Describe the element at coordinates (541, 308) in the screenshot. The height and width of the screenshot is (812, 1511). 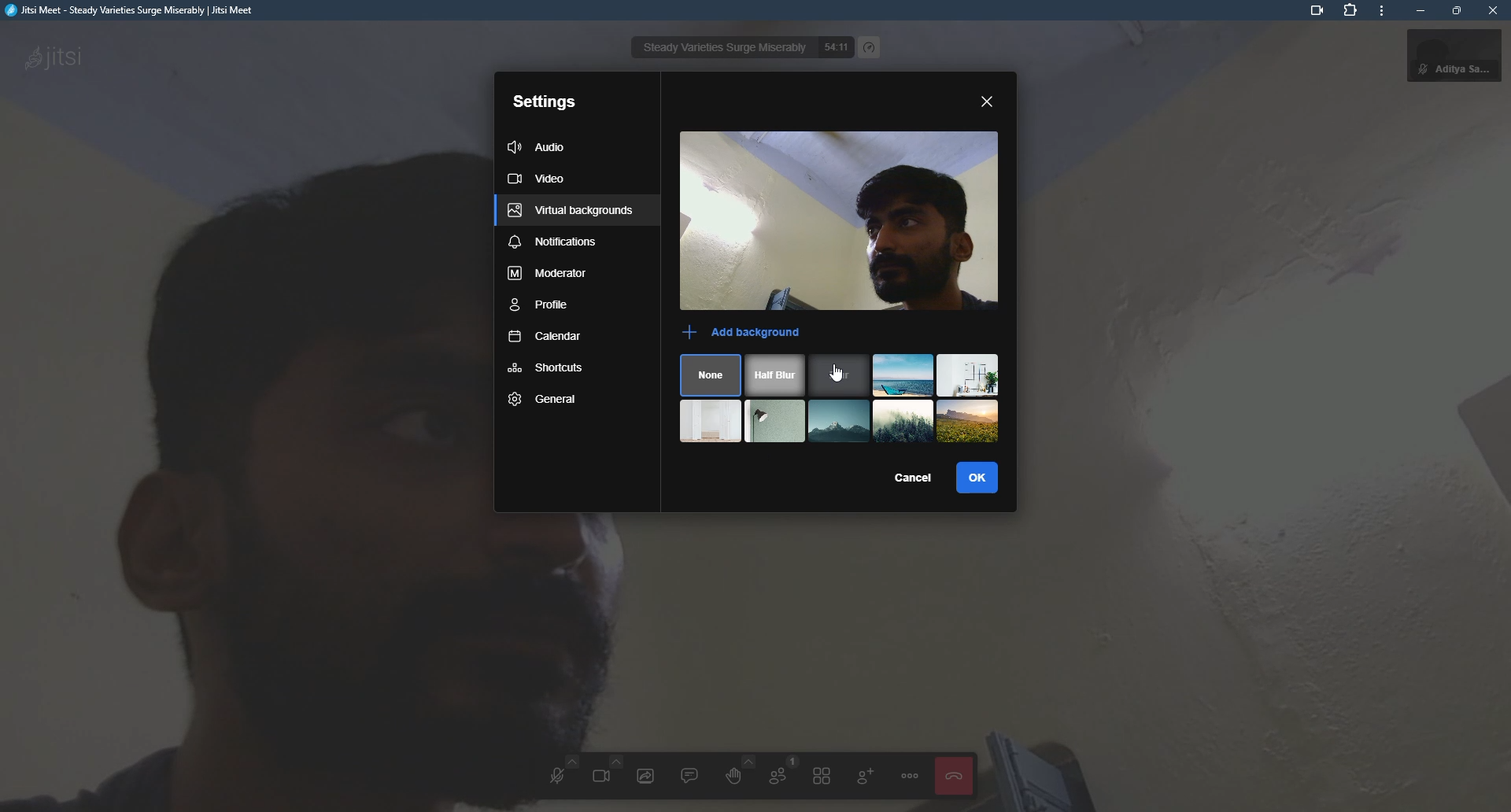
I see `profile` at that location.